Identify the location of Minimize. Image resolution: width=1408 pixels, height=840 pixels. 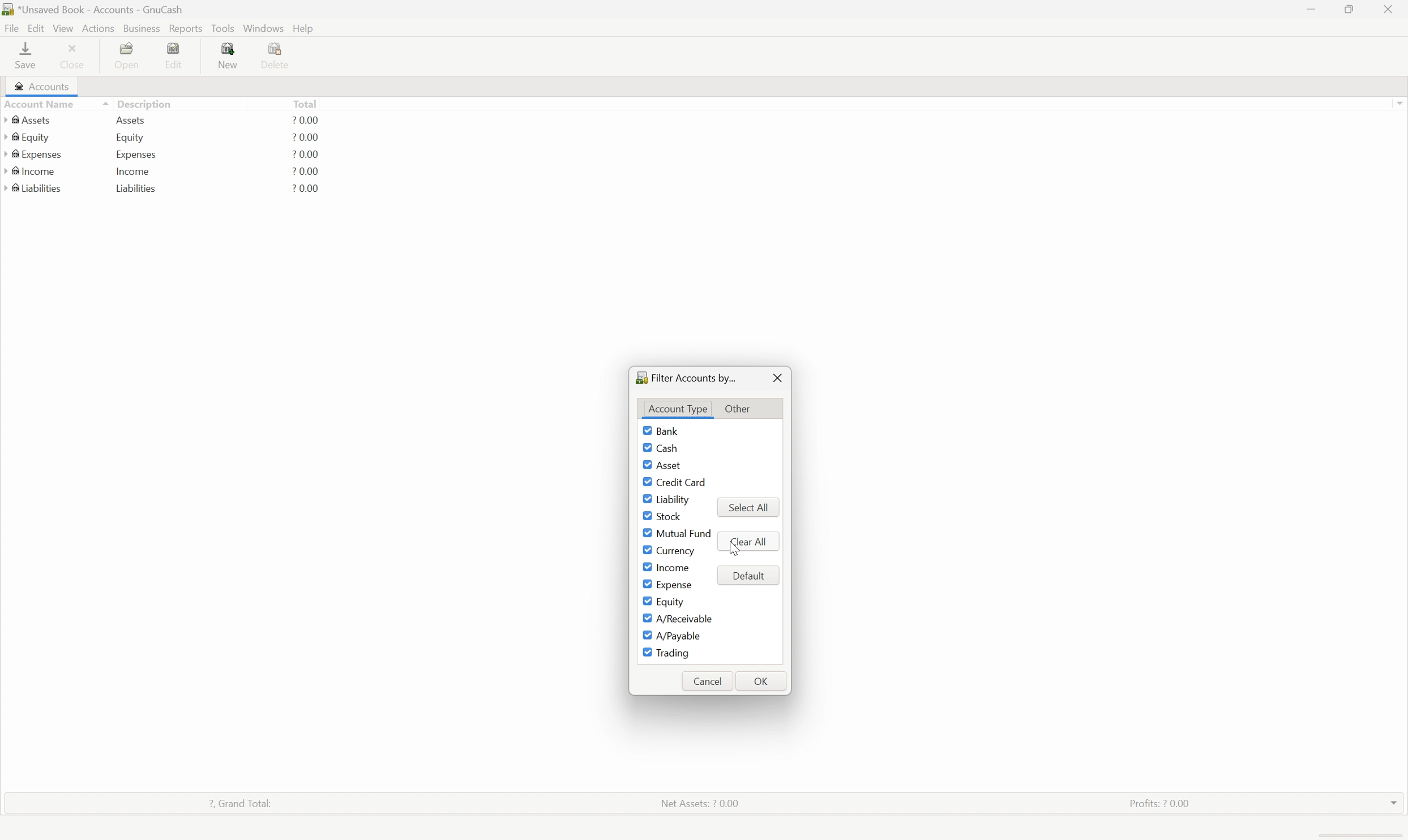
(1311, 10).